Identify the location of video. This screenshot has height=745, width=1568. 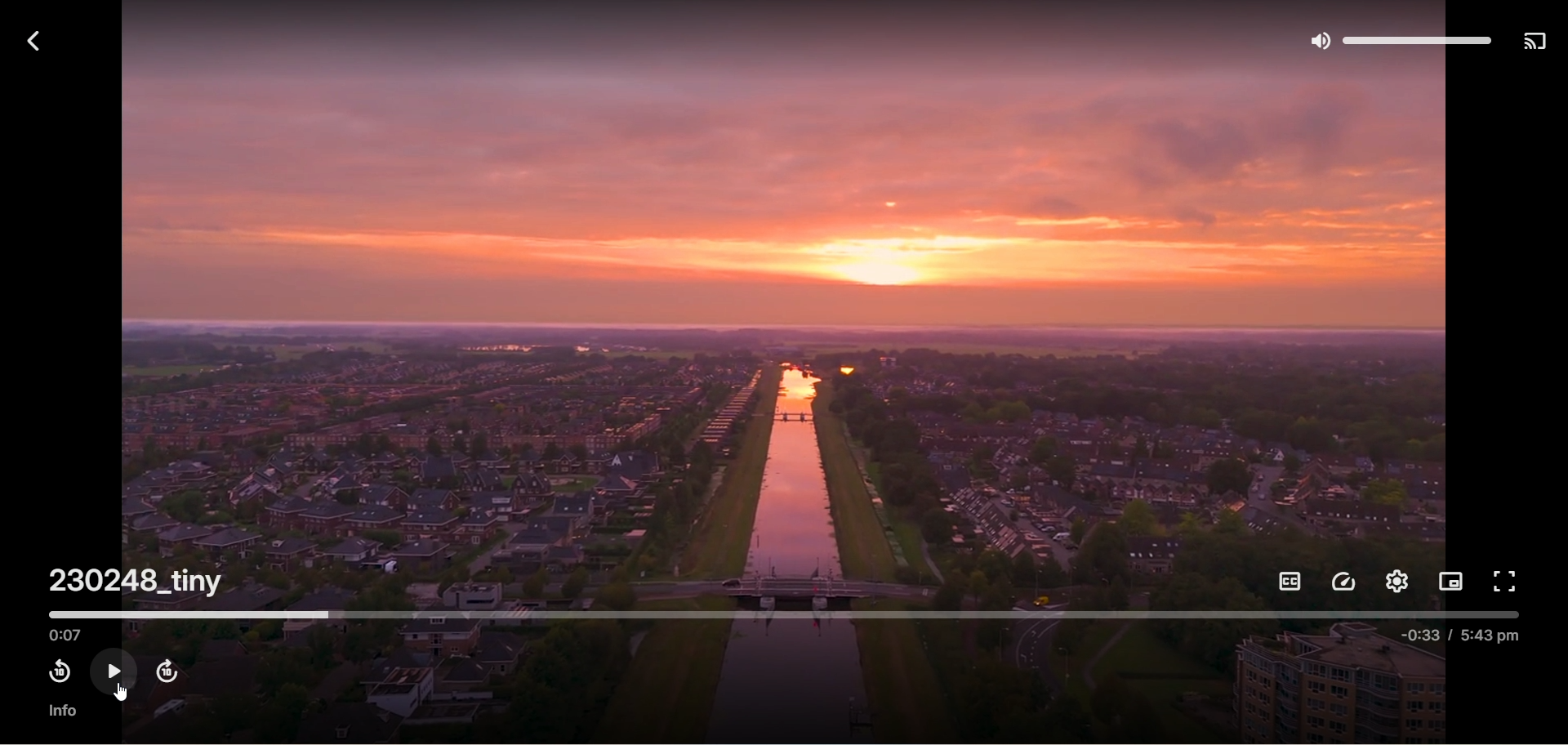
(791, 312).